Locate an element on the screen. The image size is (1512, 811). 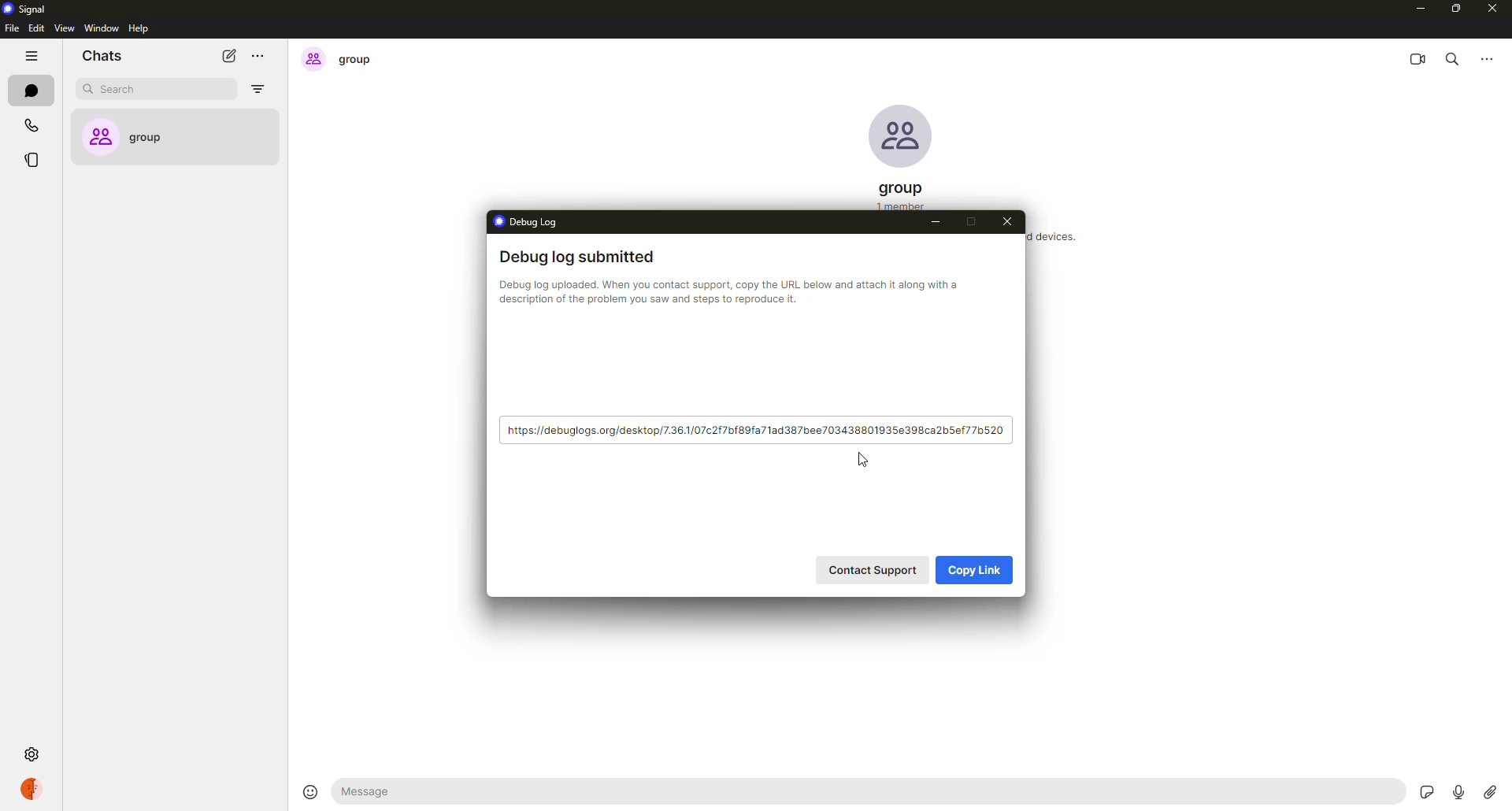
record is located at coordinates (1456, 791).